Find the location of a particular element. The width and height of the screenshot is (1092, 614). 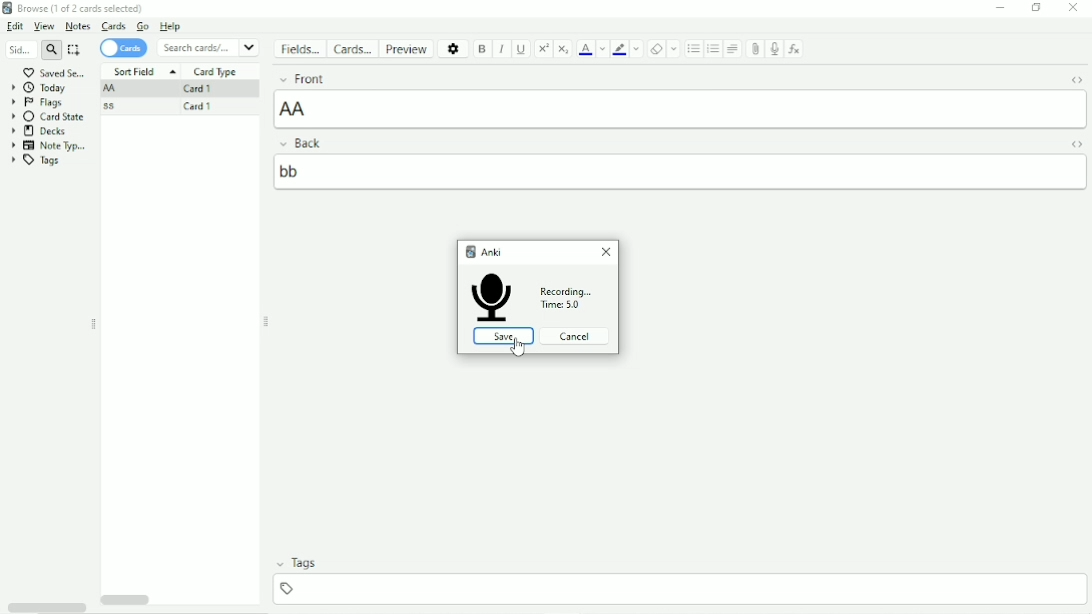

Horizontal scrollbar is located at coordinates (46, 606).